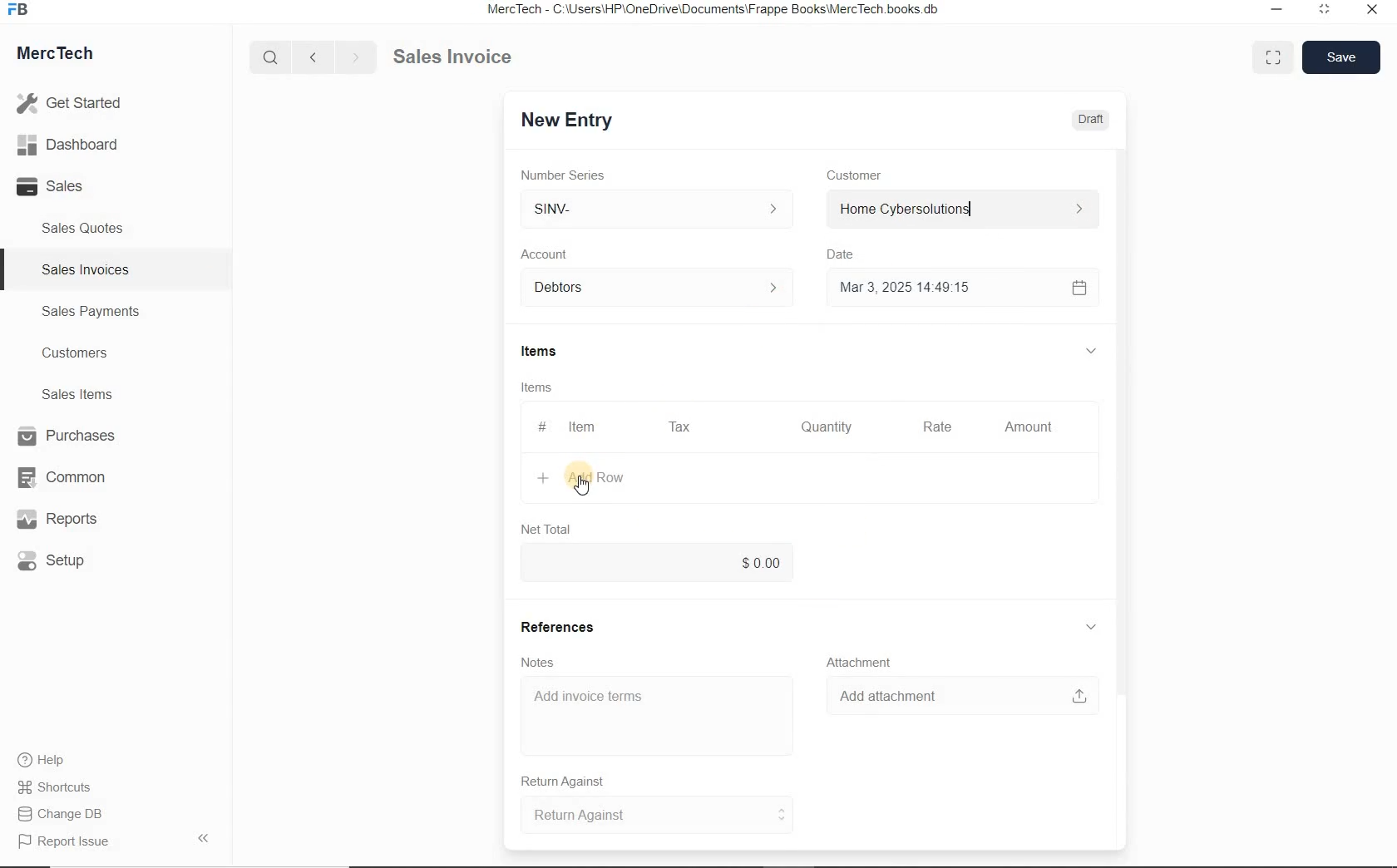  I want to click on Go back, so click(315, 57).